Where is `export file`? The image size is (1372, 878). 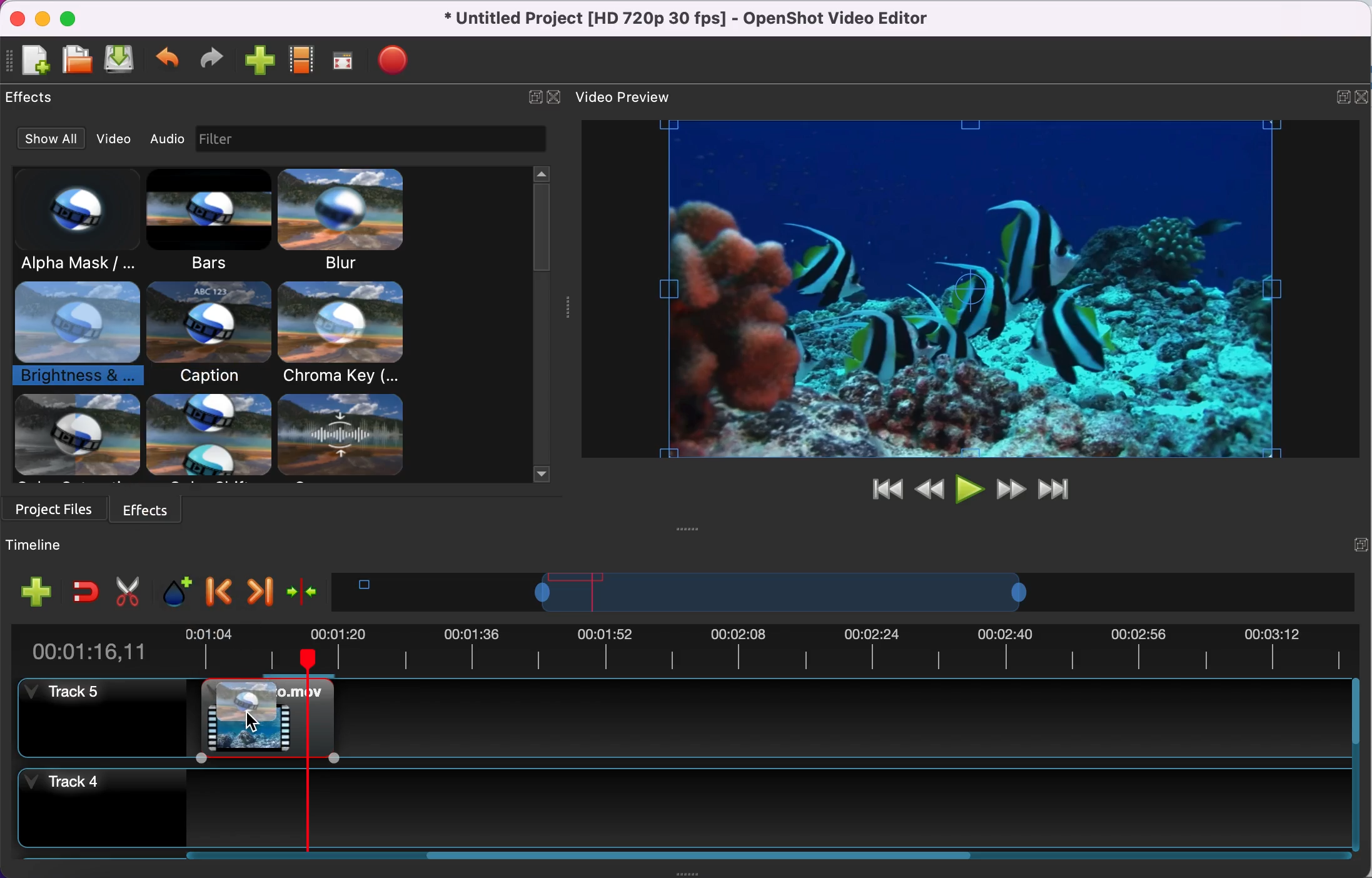
export file is located at coordinates (393, 62).